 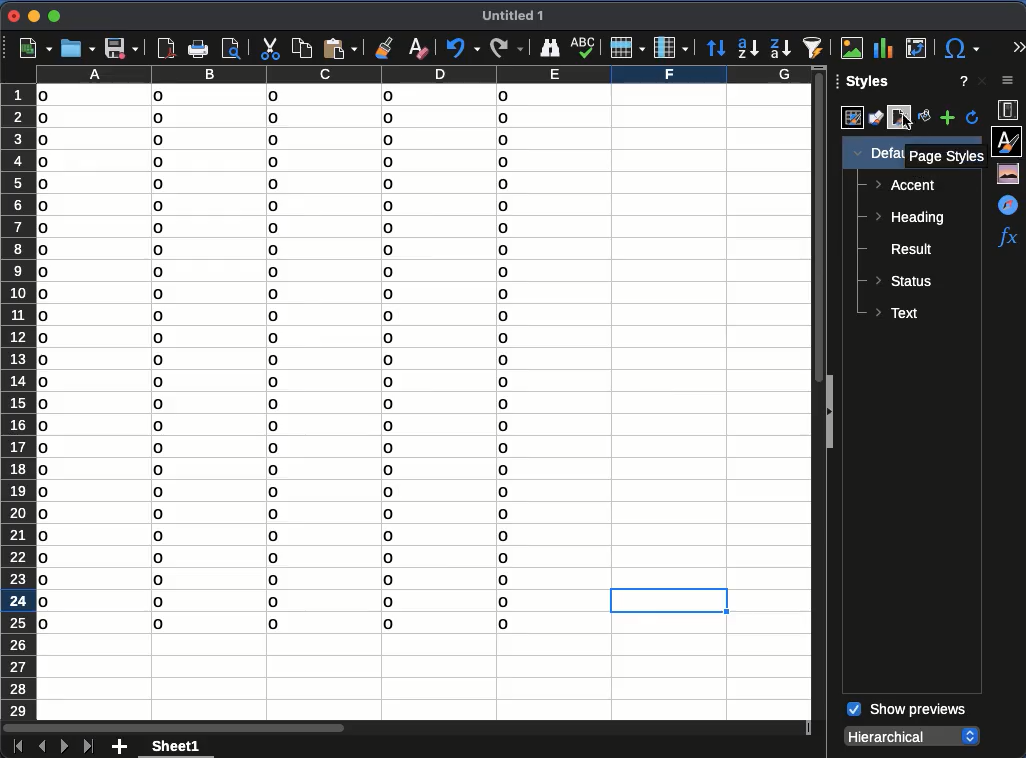 What do you see at coordinates (628, 48) in the screenshot?
I see `row` at bounding box center [628, 48].